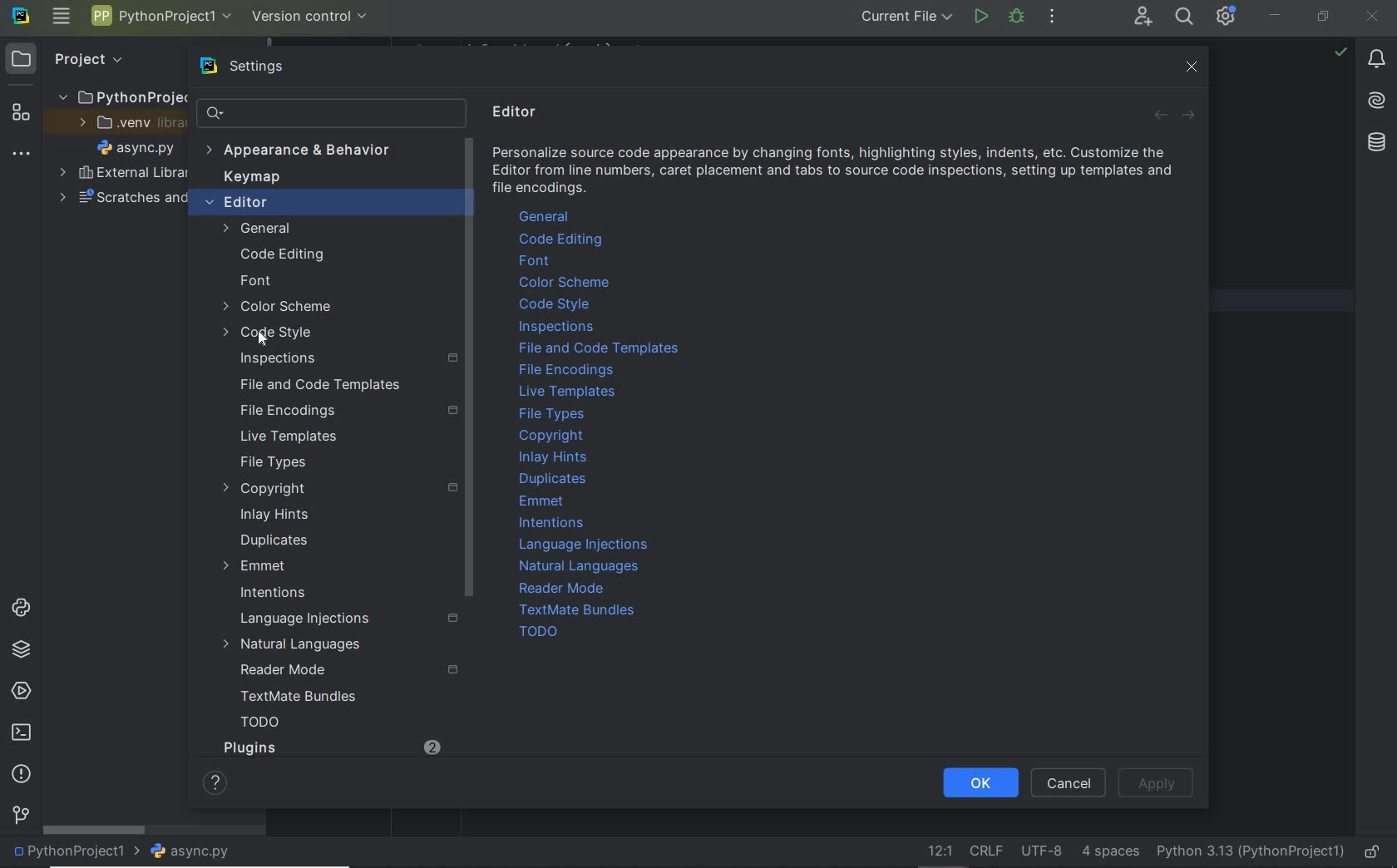 The image size is (1397, 868). Describe the element at coordinates (254, 179) in the screenshot. I see `keymap` at that location.